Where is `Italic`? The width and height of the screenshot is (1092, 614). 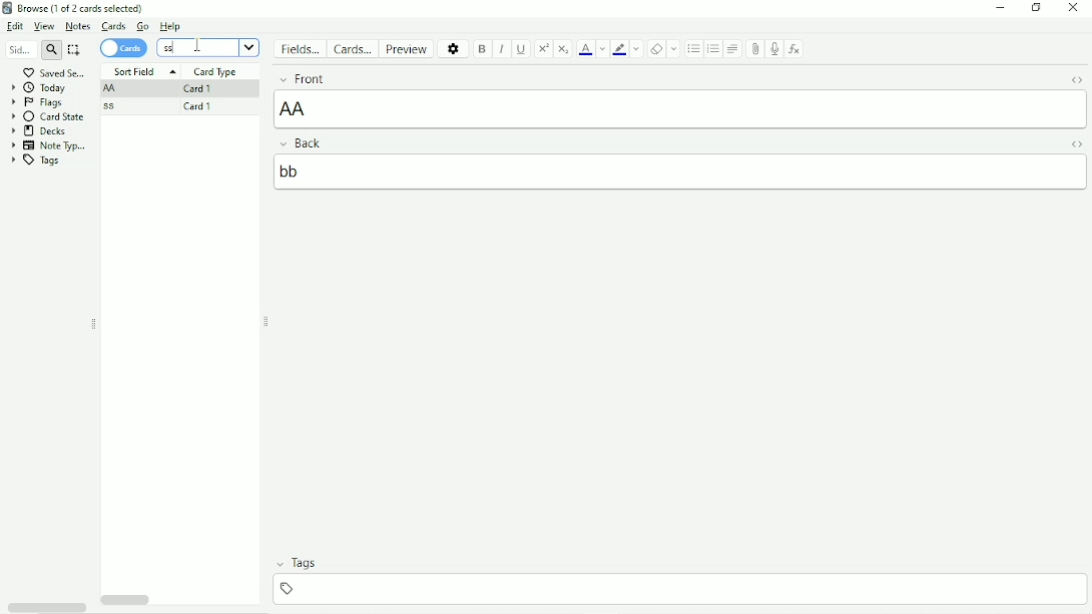 Italic is located at coordinates (501, 49).